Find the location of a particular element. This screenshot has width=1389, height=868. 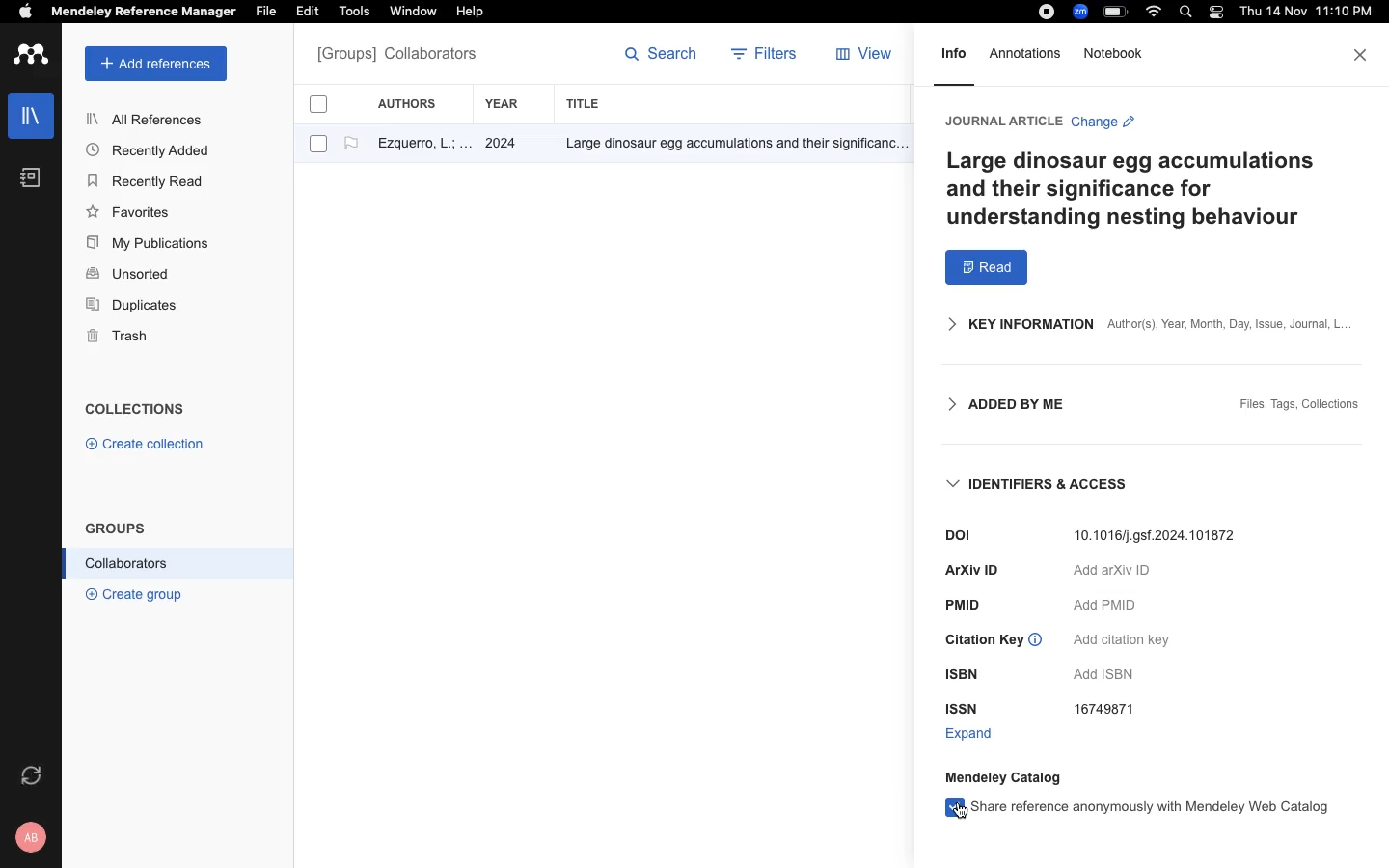

author is located at coordinates (416, 146).